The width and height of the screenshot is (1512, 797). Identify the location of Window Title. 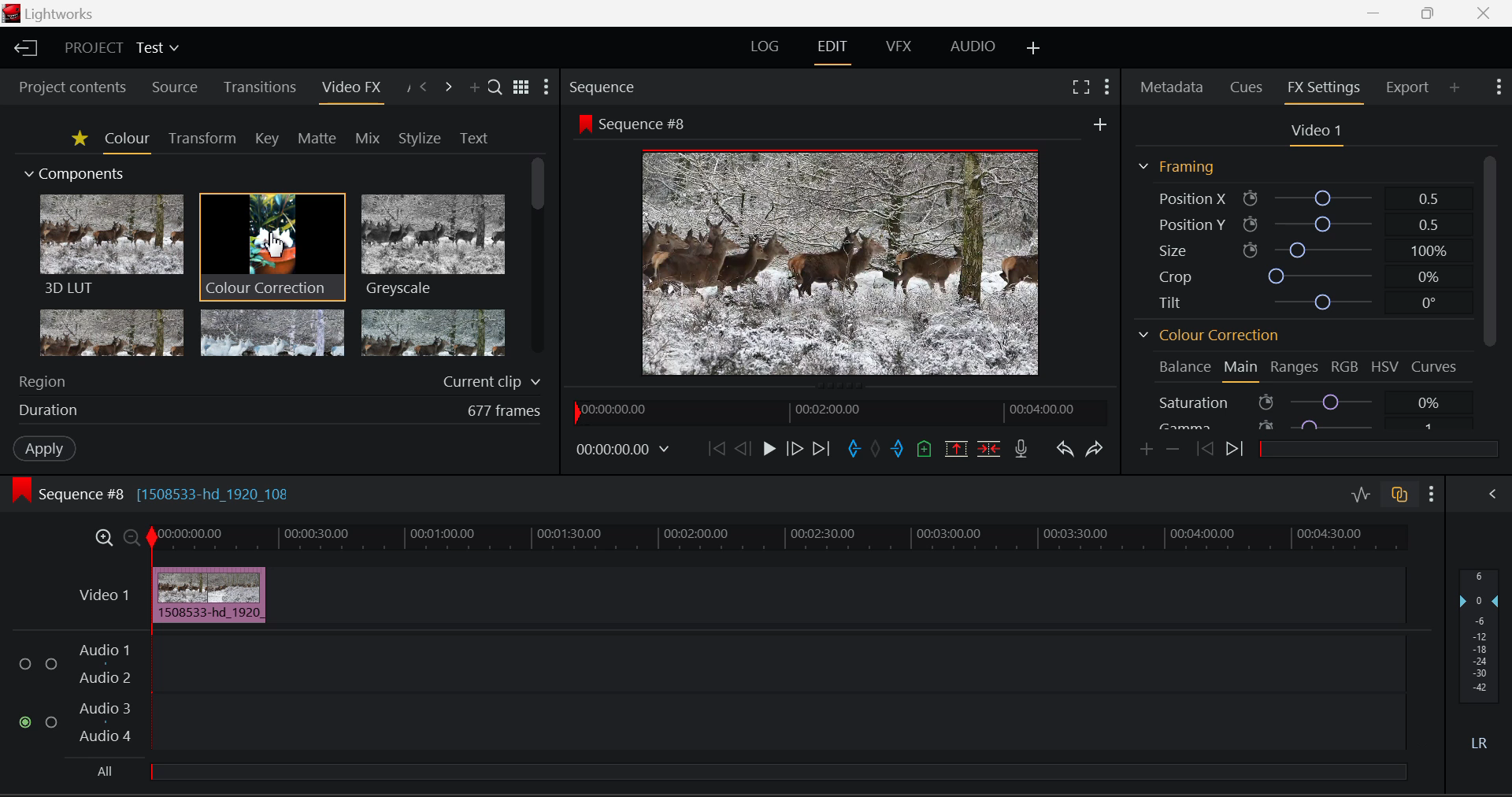
(54, 13).